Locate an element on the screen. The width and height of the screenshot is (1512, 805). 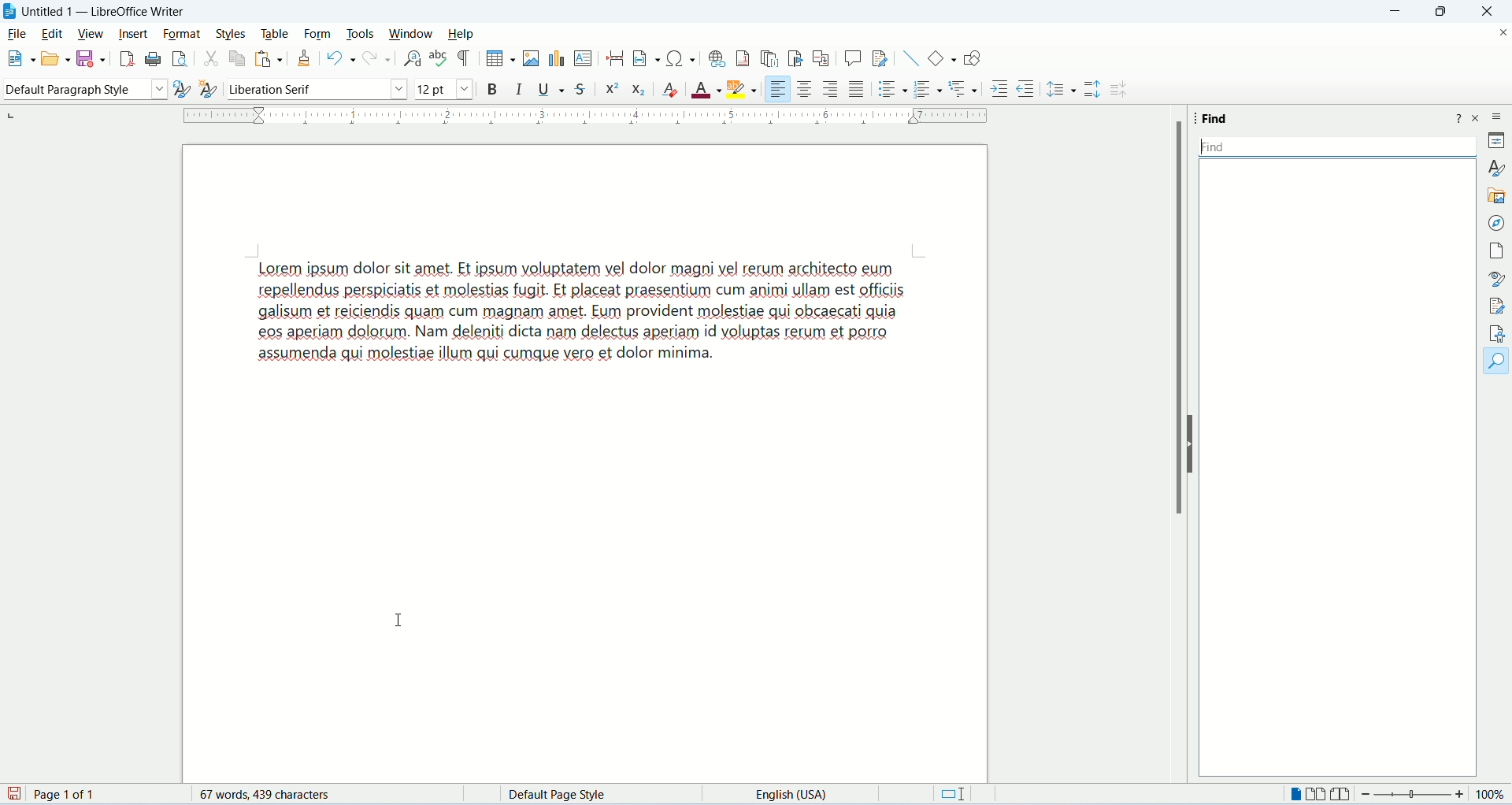
insert image is located at coordinates (530, 57).